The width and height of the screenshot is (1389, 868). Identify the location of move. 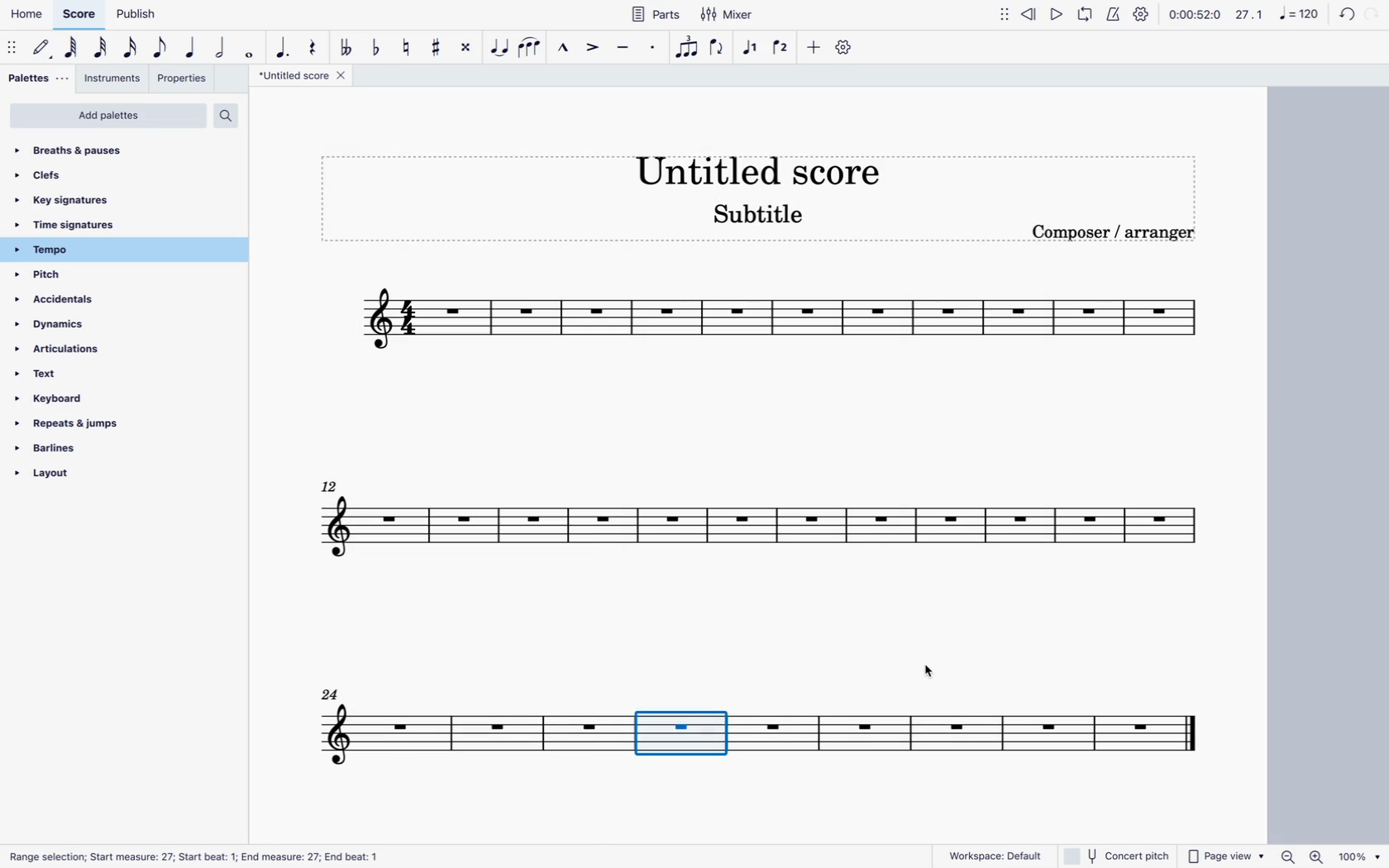
(1000, 13).